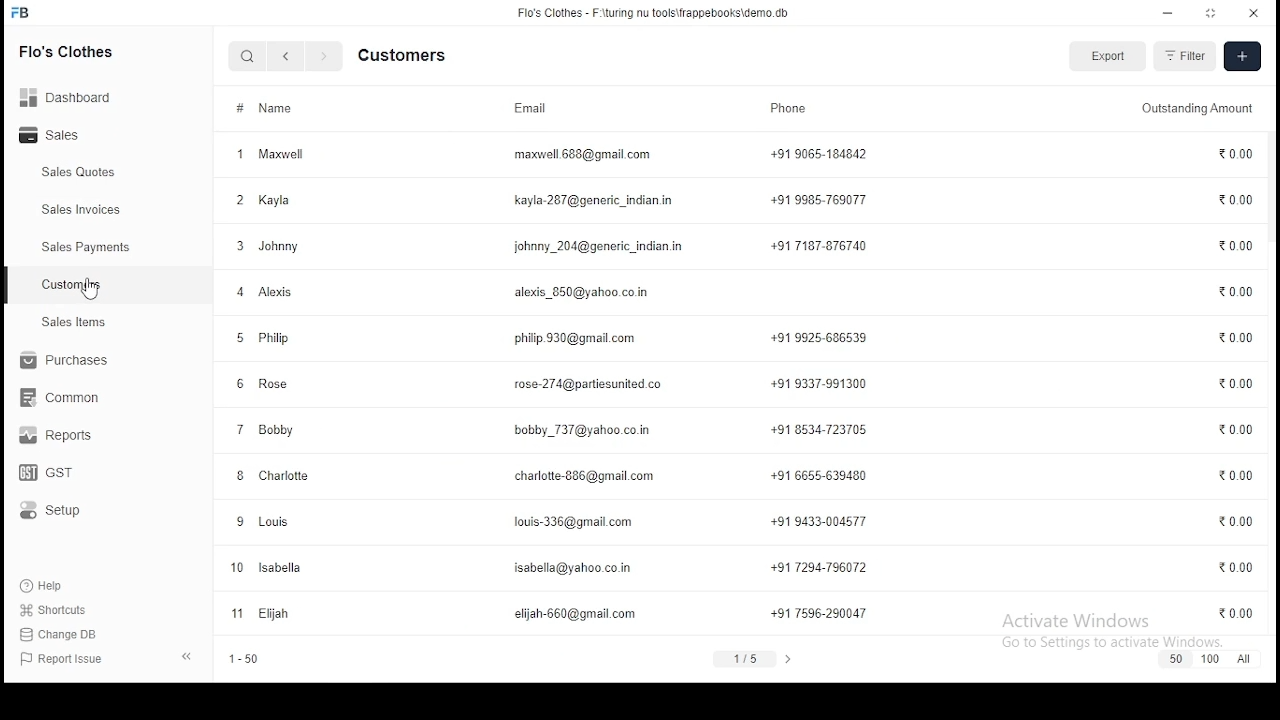 Image resolution: width=1280 pixels, height=720 pixels. What do you see at coordinates (245, 659) in the screenshot?
I see `1-50` at bounding box center [245, 659].